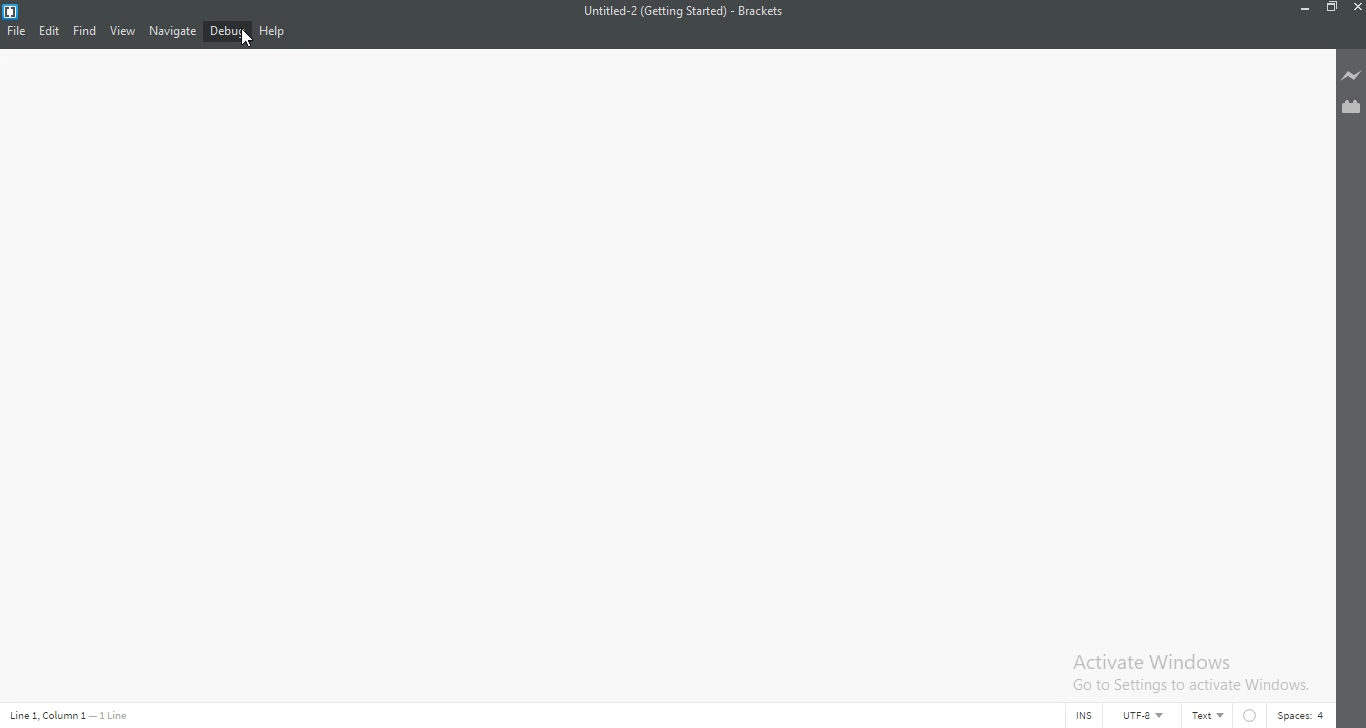 This screenshot has width=1366, height=728. Describe the element at coordinates (1351, 105) in the screenshot. I see `extension manager` at that location.